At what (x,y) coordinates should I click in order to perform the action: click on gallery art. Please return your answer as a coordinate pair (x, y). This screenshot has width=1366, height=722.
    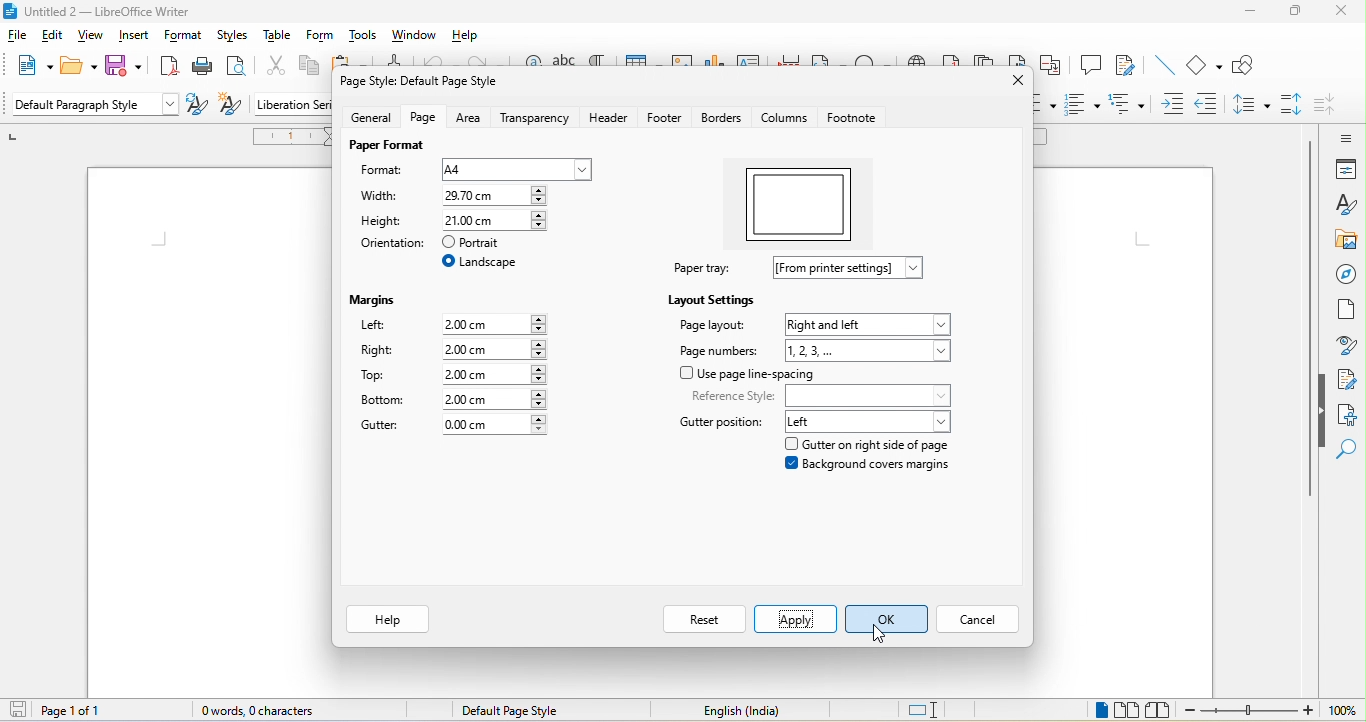
    Looking at the image, I should click on (1345, 241).